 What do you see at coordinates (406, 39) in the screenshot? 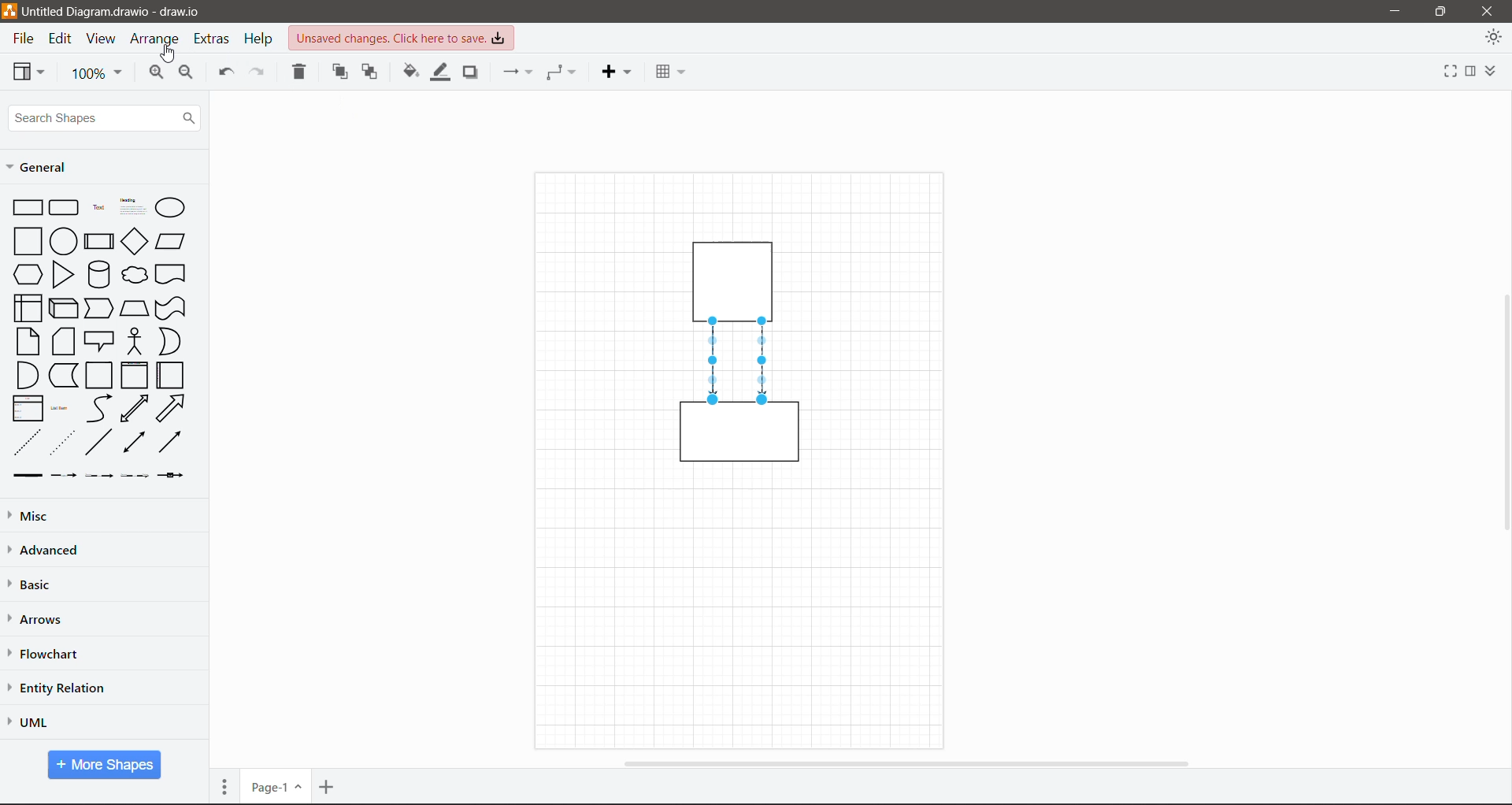
I see `Unsaved Changes. Click here to save` at bounding box center [406, 39].